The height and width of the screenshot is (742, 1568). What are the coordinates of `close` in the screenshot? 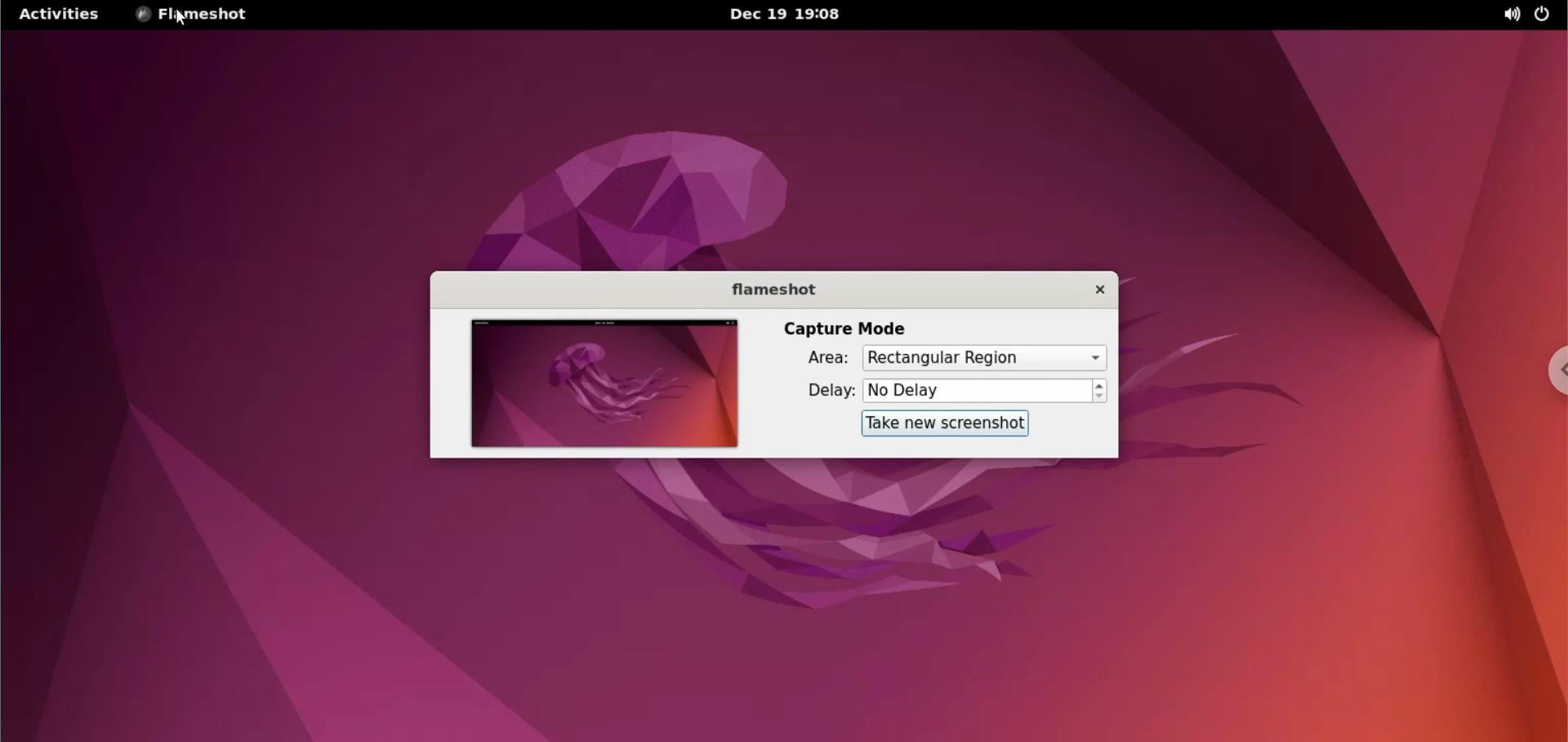 It's located at (1086, 291).